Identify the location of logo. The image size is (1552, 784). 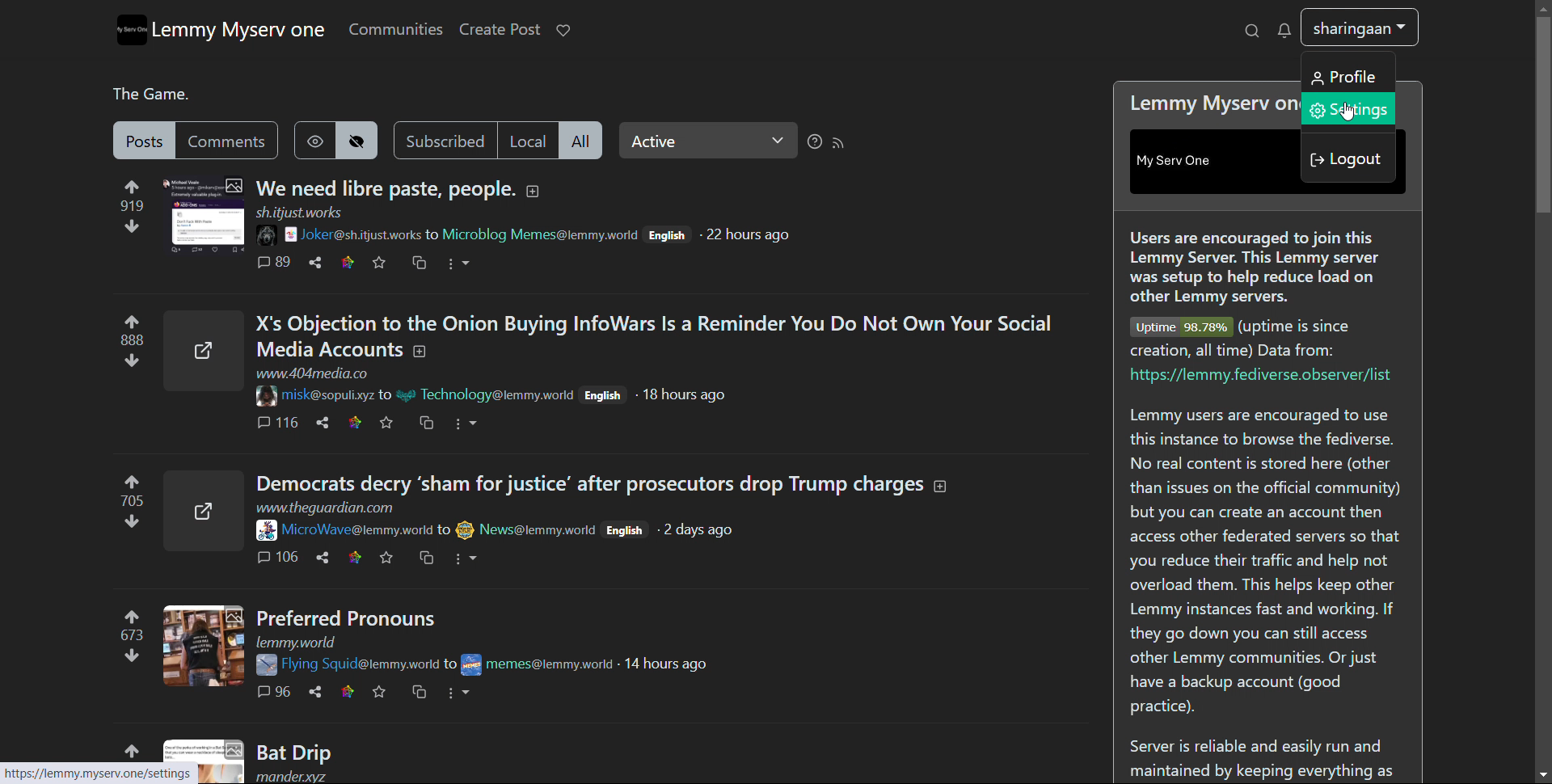
(133, 31).